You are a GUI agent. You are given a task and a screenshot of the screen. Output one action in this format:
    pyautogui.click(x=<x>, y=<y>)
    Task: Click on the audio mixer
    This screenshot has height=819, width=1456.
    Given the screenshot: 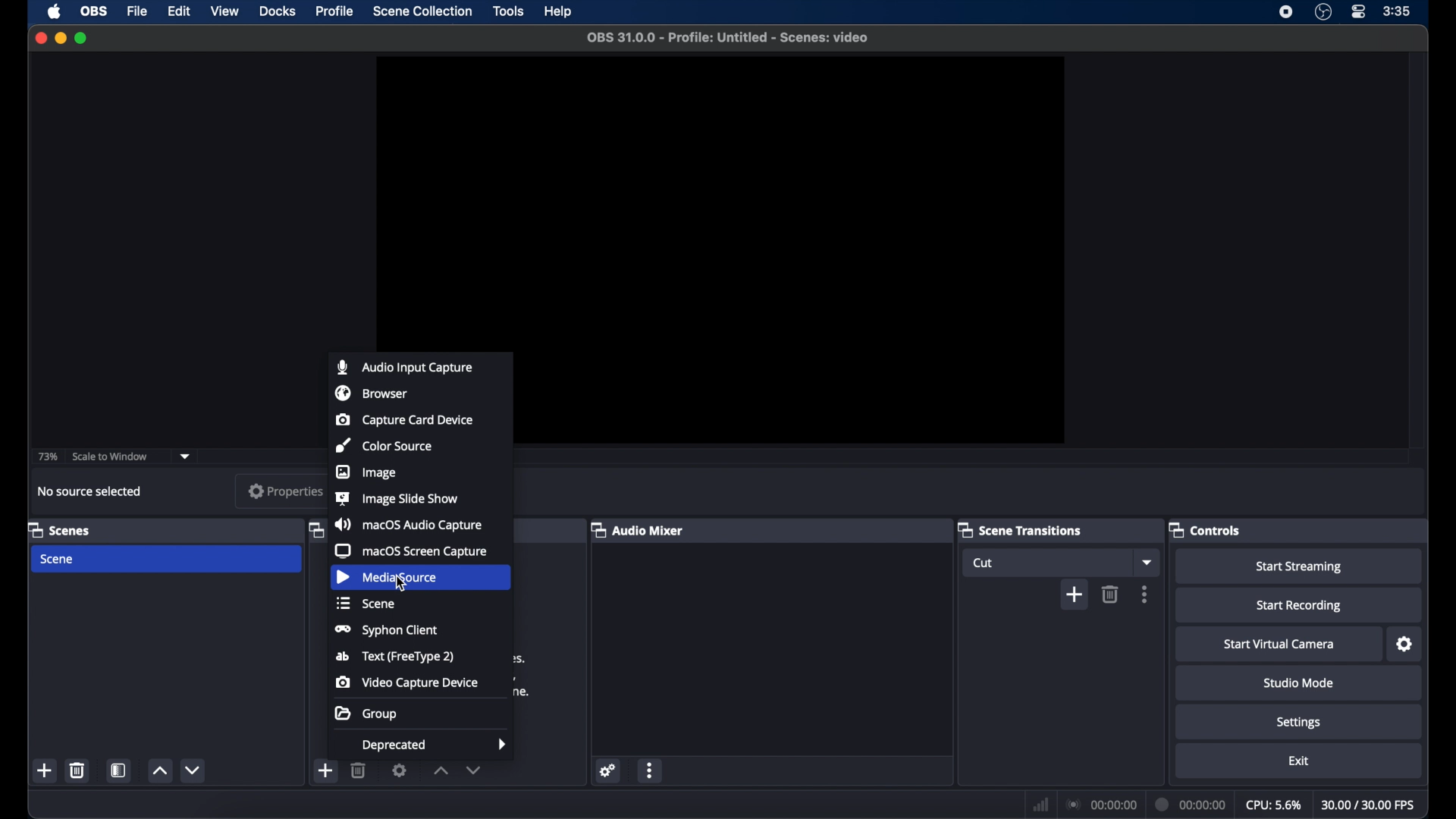 What is the action you would take?
    pyautogui.click(x=636, y=529)
    